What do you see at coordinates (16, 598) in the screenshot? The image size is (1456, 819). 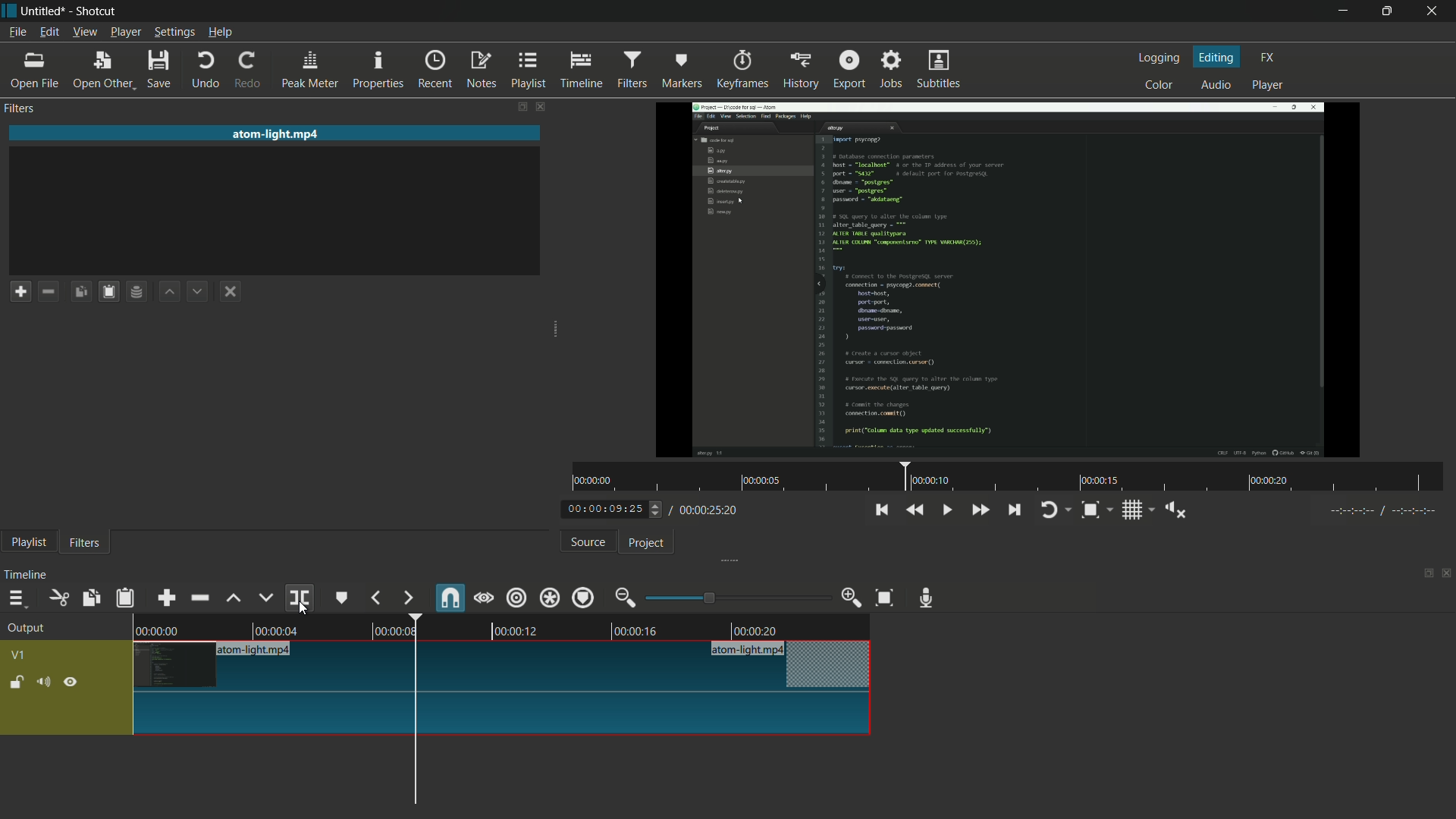 I see `timeline menu` at bounding box center [16, 598].